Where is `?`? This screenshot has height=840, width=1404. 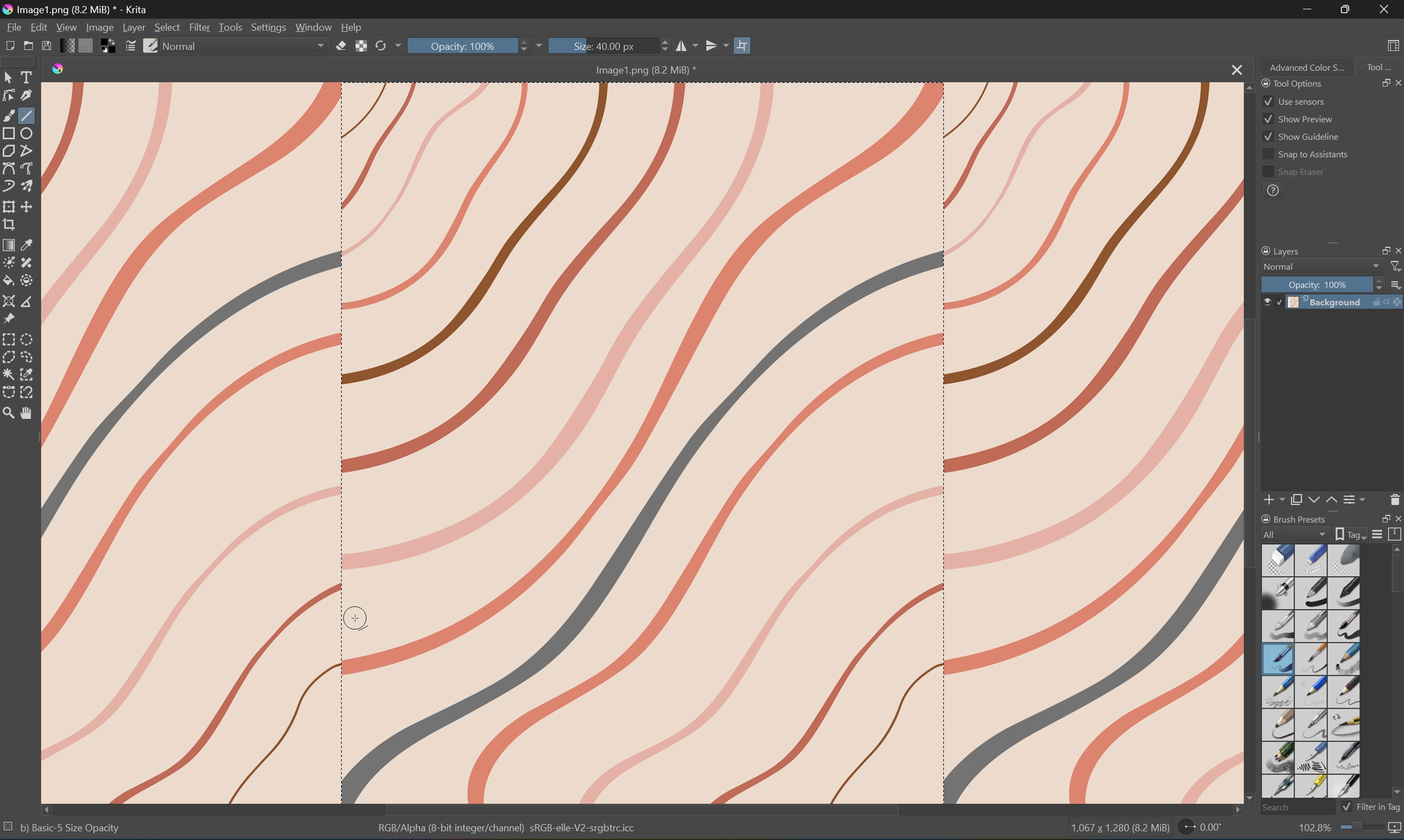
? is located at coordinates (1273, 192).